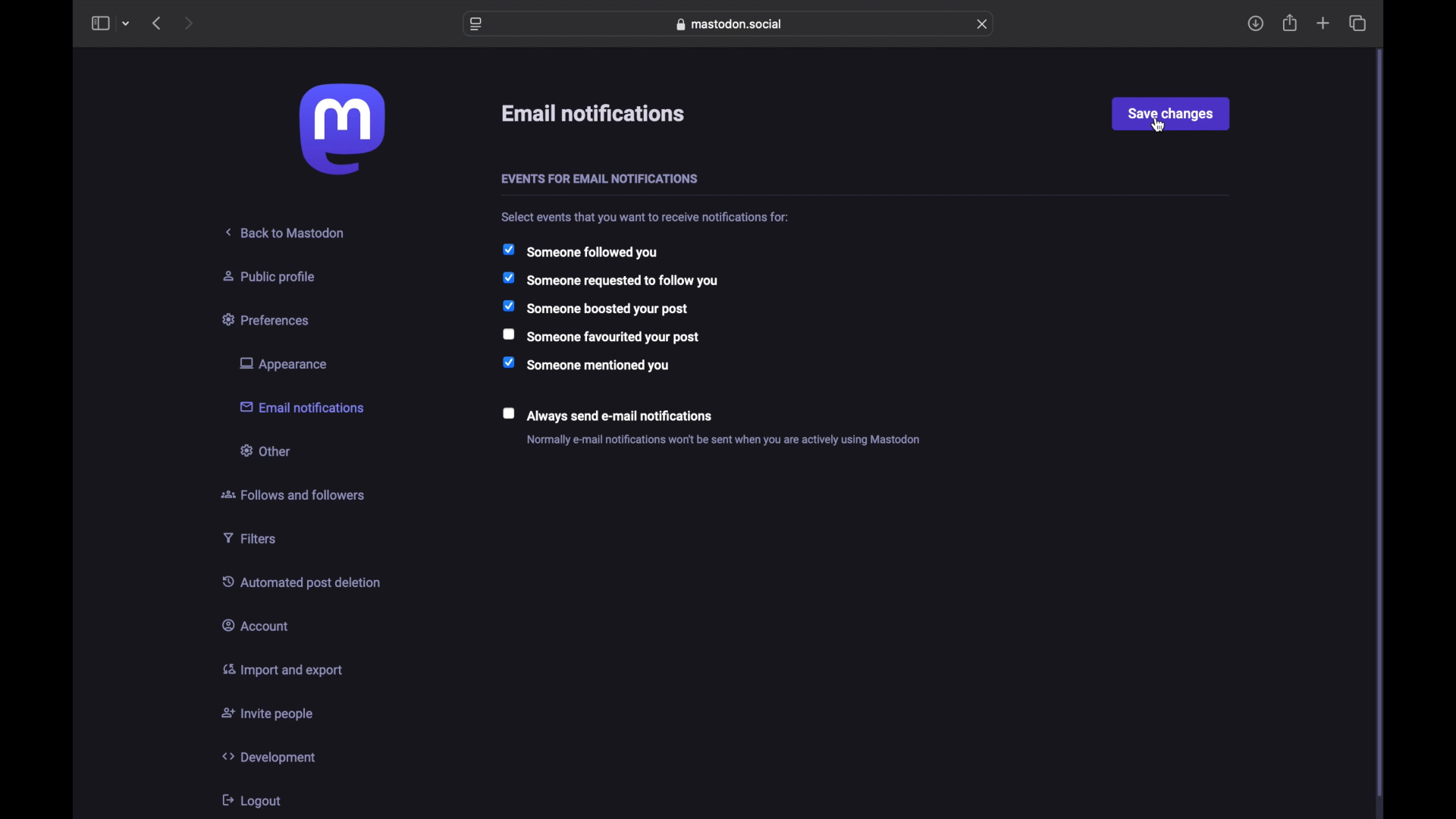 The width and height of the screenshot is (1456, 819). Describe the element at coordinates (268, 714) in the screenshot. I see `invite people` at that location.